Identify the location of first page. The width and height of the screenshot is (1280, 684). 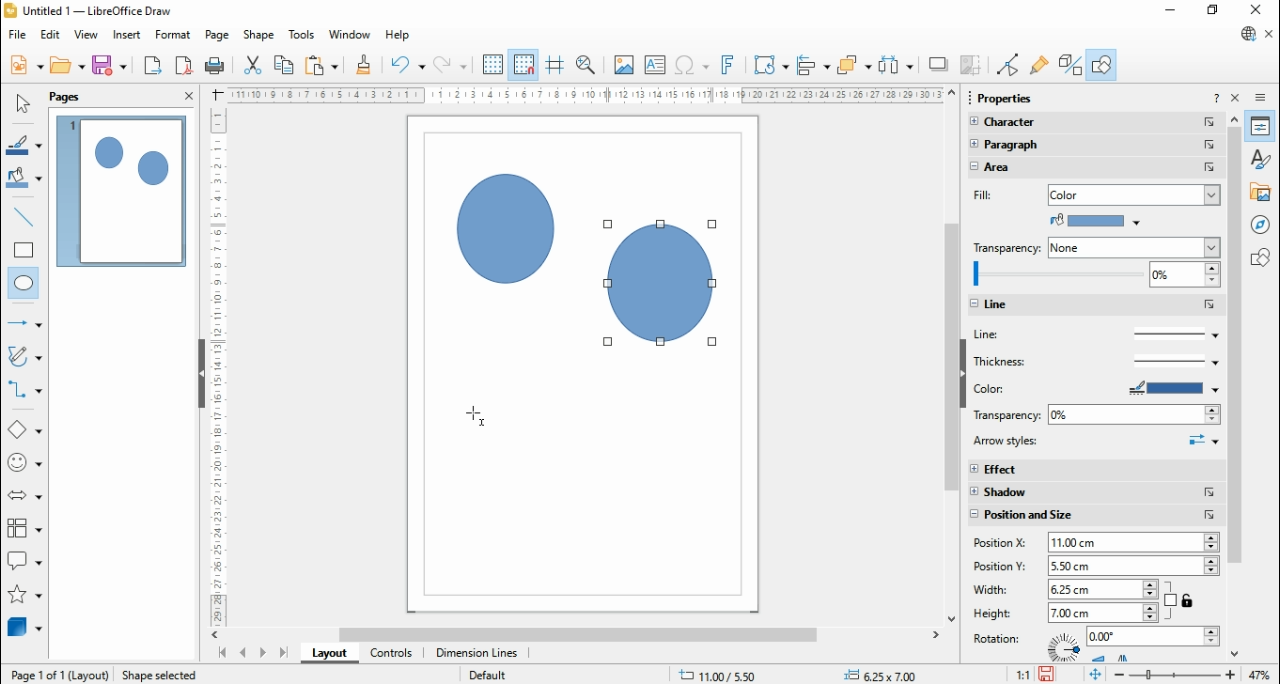
(221, 654).